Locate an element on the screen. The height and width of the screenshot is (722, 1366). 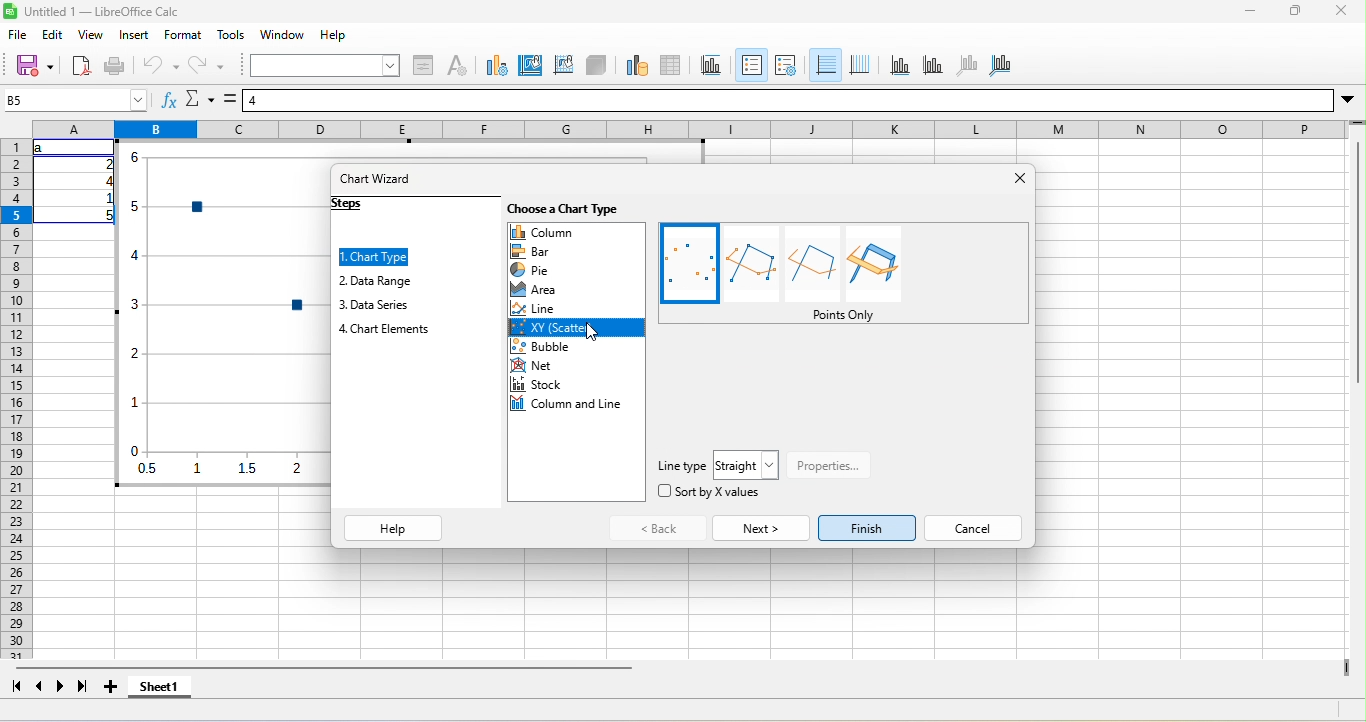
5 is located at coordinates (105, 216).